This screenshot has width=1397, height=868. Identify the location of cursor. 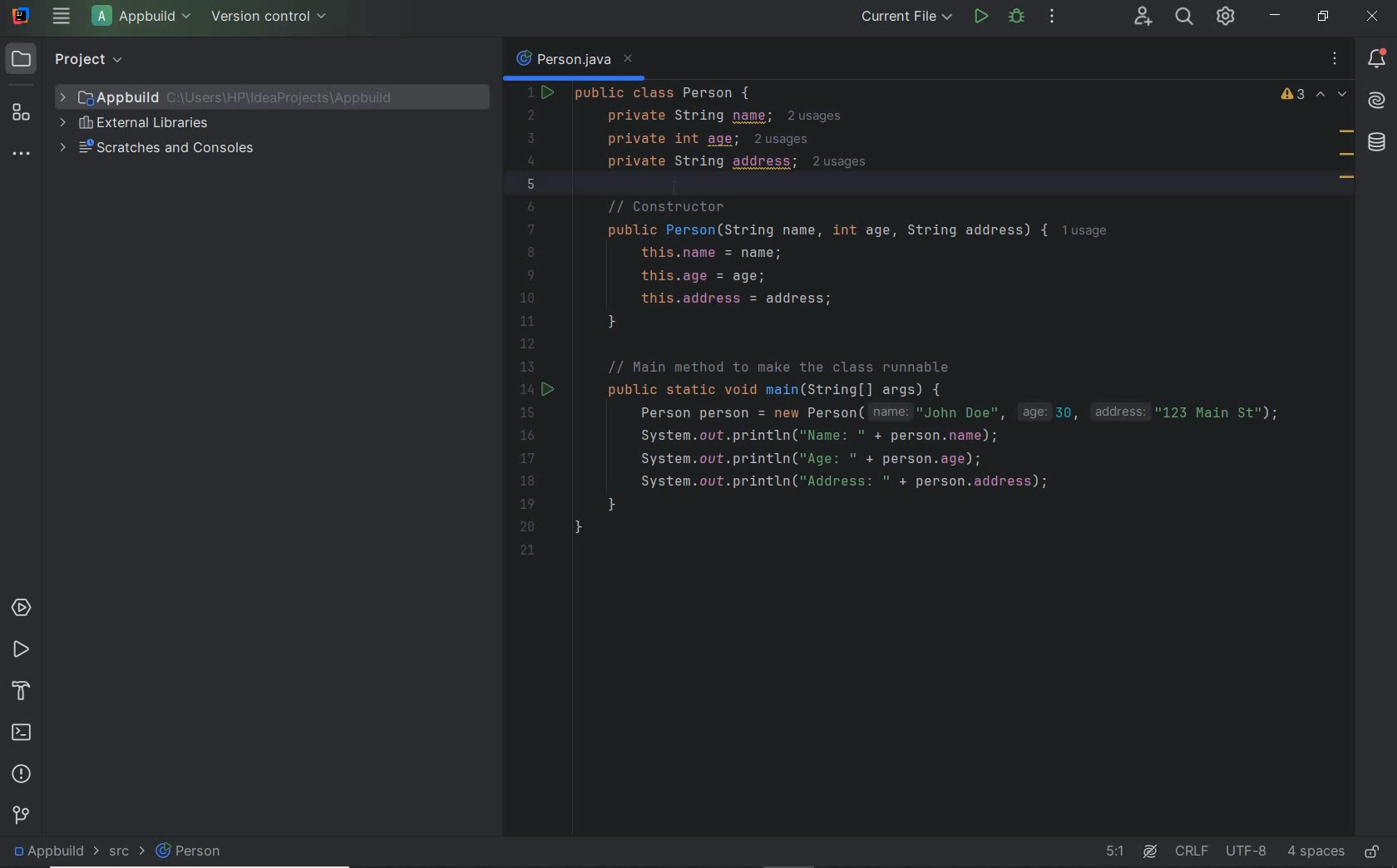
(682, 184).